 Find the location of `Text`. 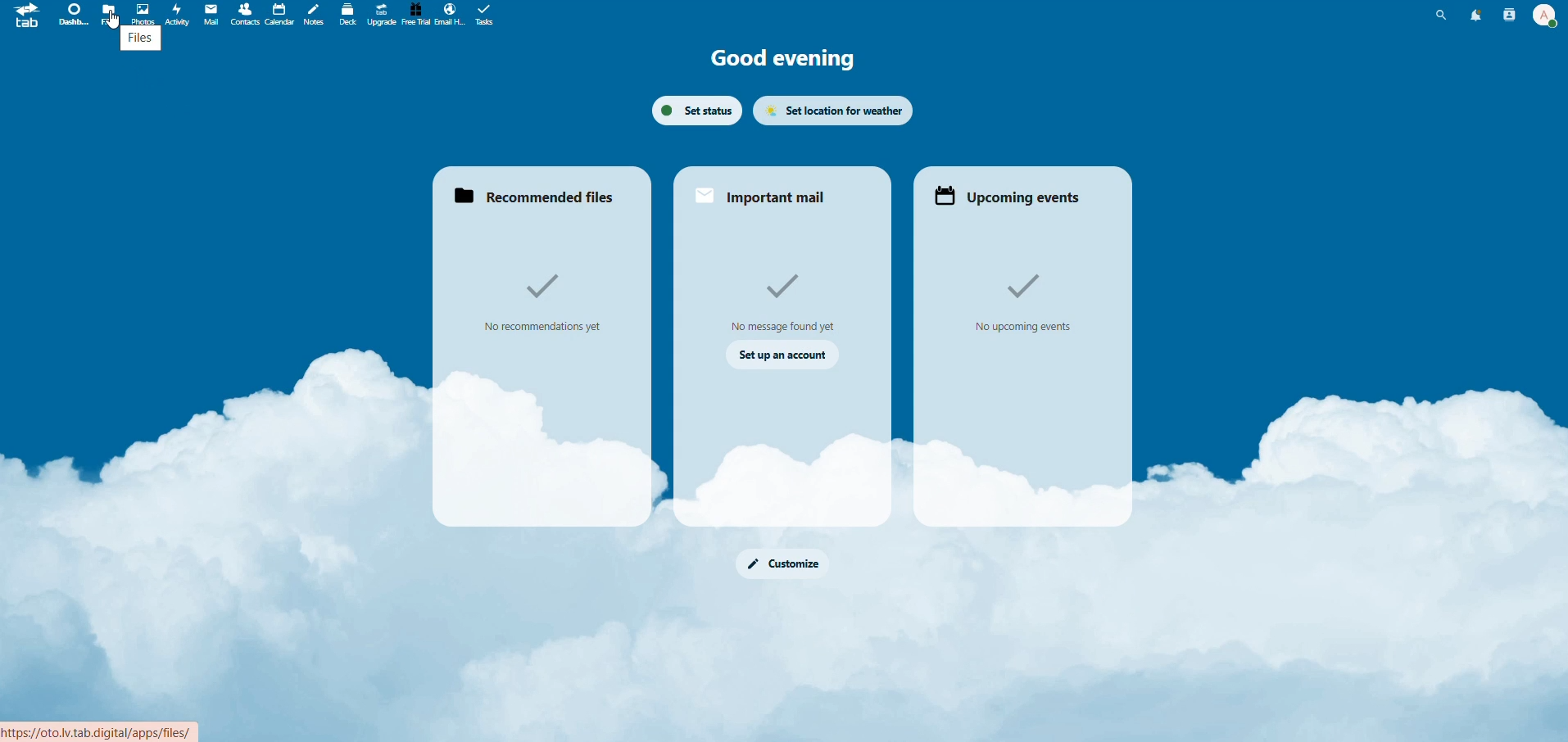

Text is located at coordinates (783, 62).